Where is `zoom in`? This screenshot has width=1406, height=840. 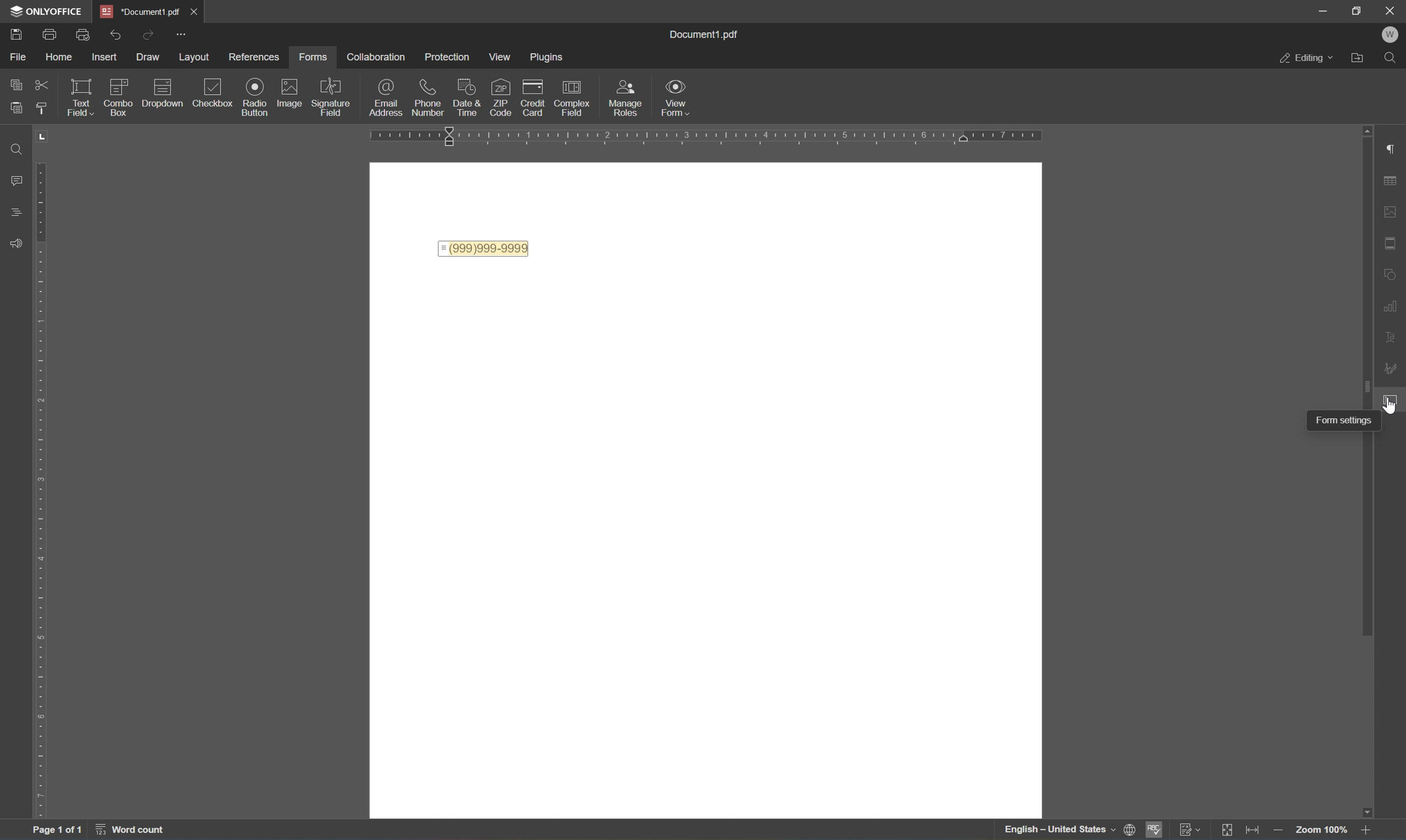 zoom in is located at coordinates (1370, 832).